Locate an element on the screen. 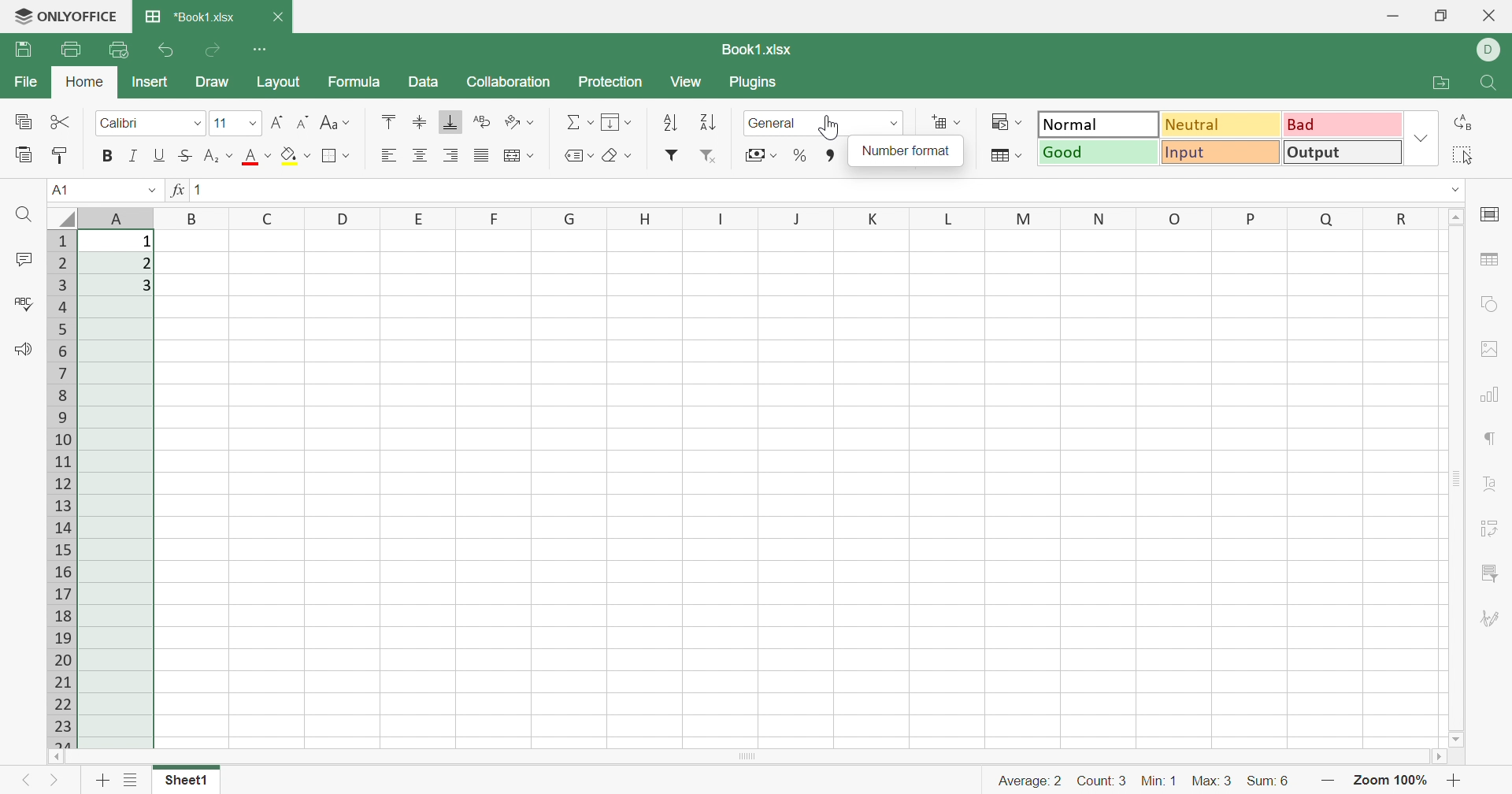 Image resolution: width=1512 pixels, height=794 pixels. Scroll left is located at coordinates (56, 757).